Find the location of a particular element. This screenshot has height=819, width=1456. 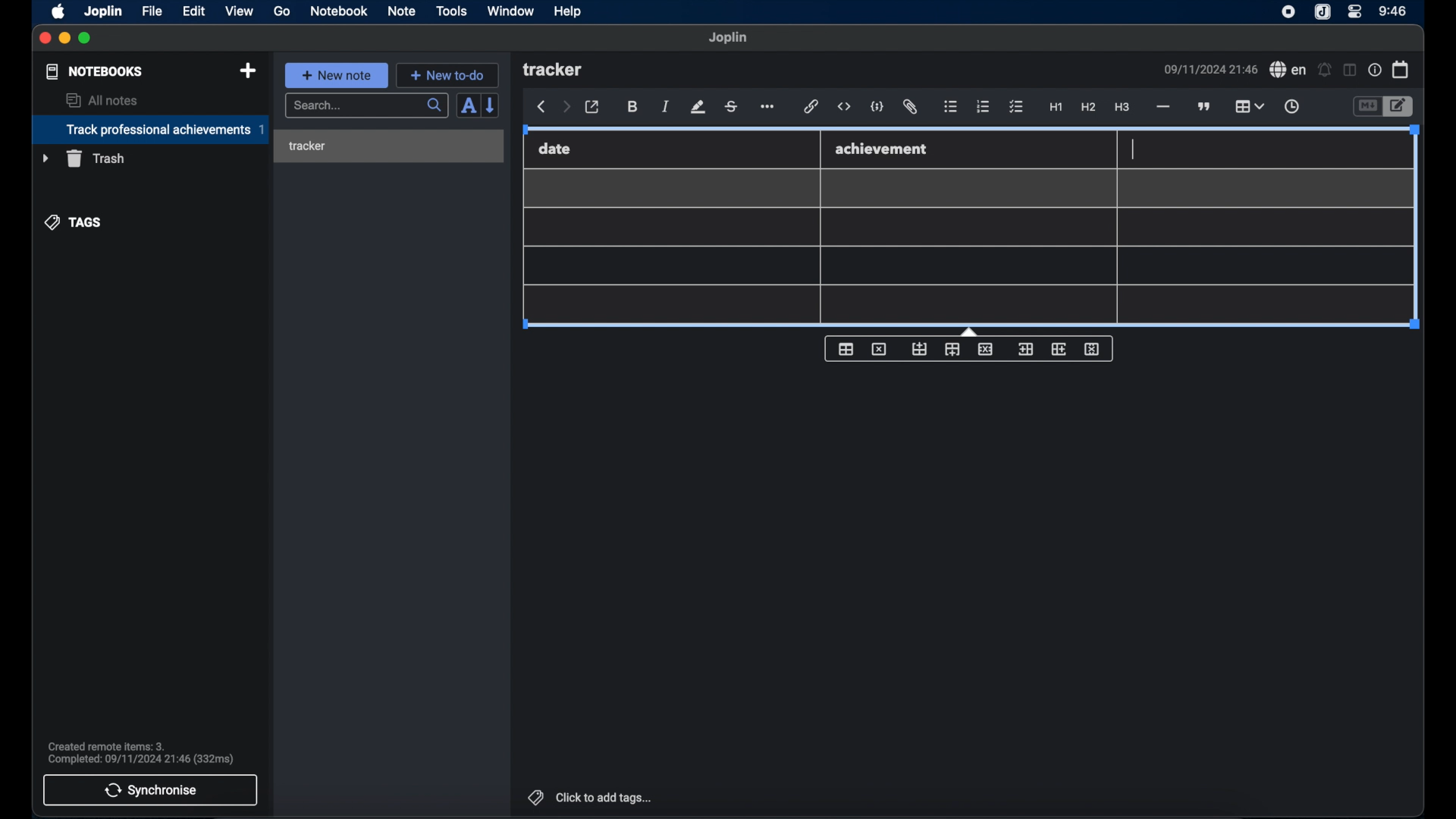

table is located at coordinates (1249, 105).